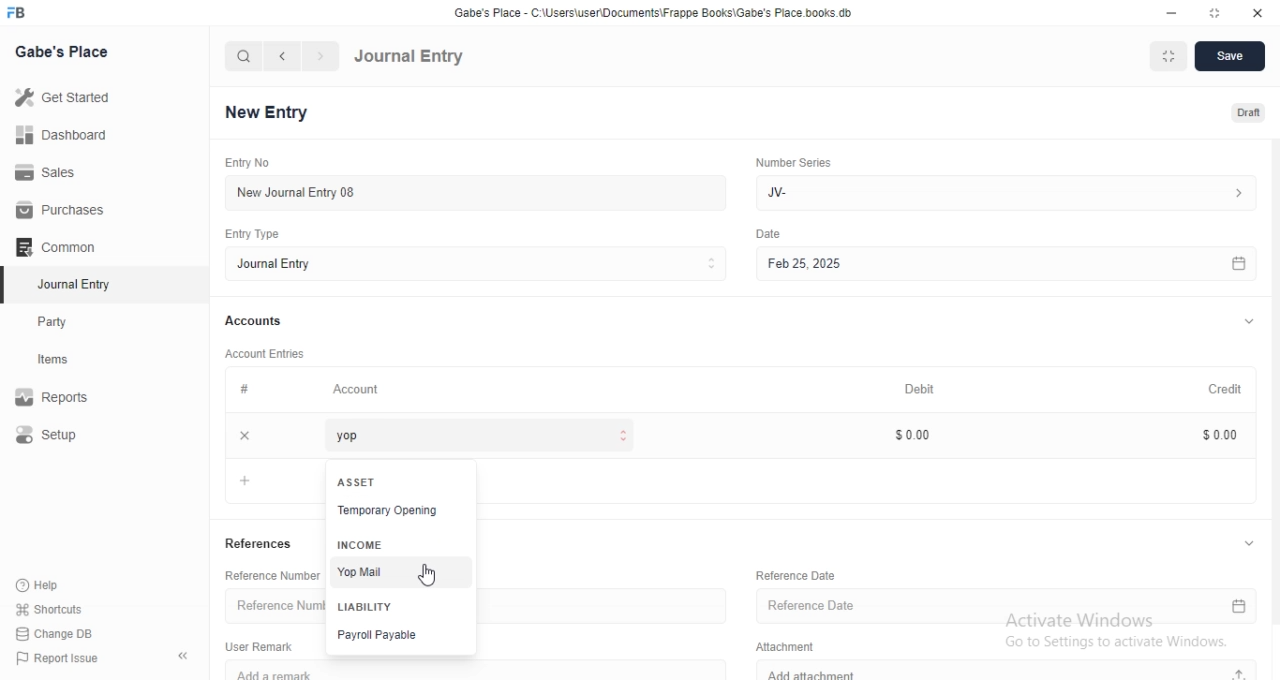 The width and height of the screenshot is (1280, 680). I want to click on ‘Gabe's Place - C\Users\useriDocuments\Frappe Books\Gabe's Place books. db, so click(650, 10).